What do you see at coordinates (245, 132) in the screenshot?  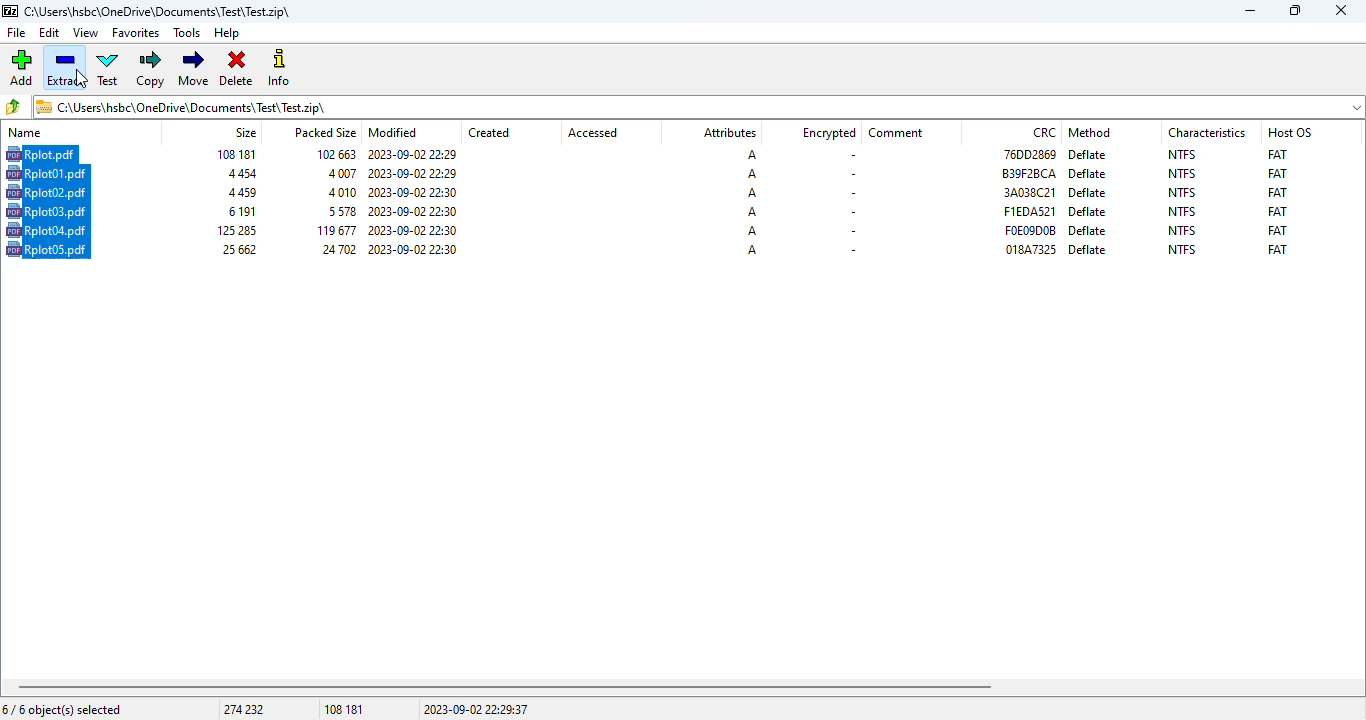 I see `size` at bounding box center [245, 132].